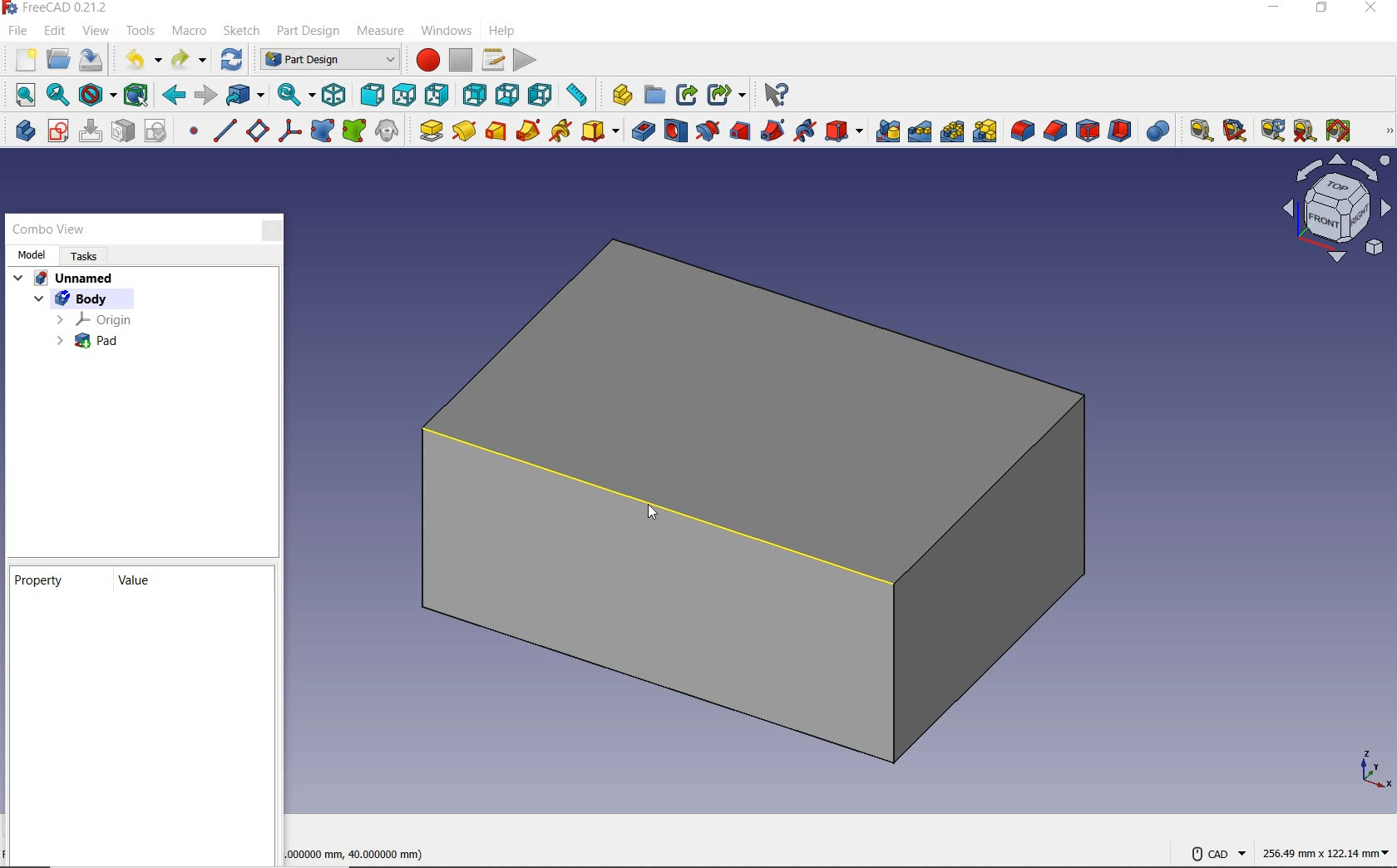 This screenshot has width=1397, height=868. Describe the element at coordinates (444, 32) in the screenshot. I see `windows` at that location.